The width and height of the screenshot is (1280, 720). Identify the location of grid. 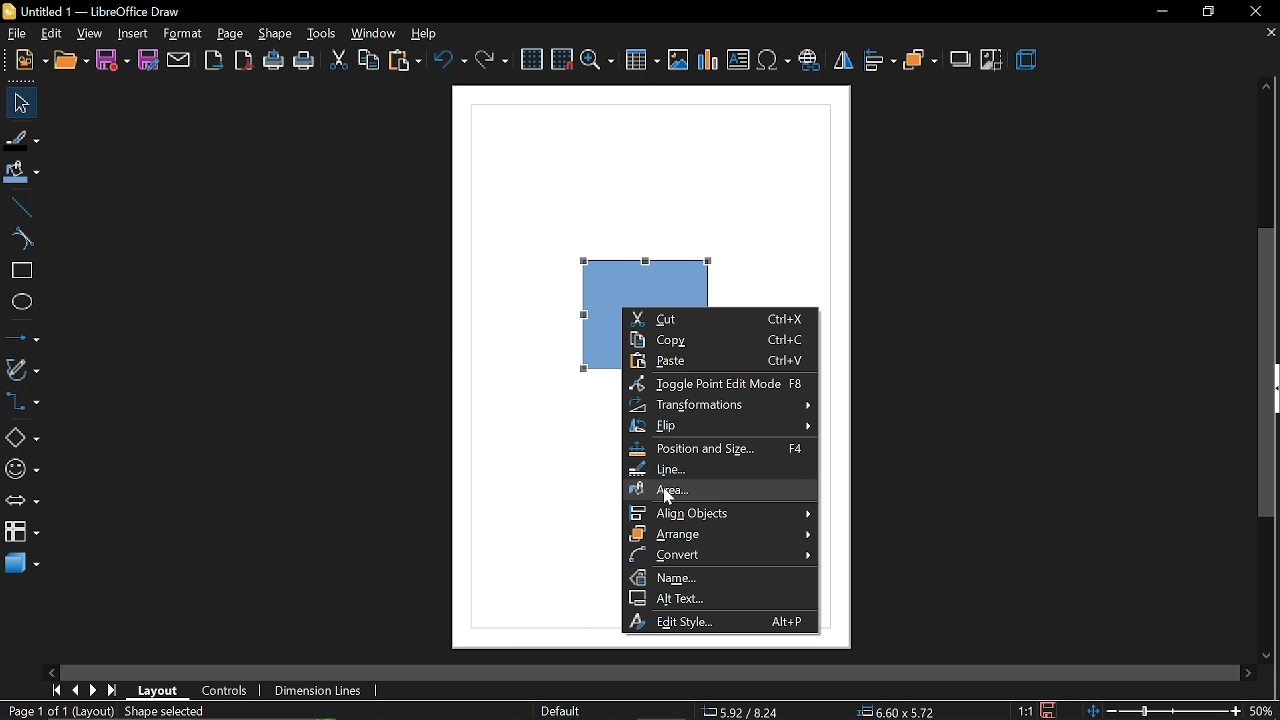
(531, 59).